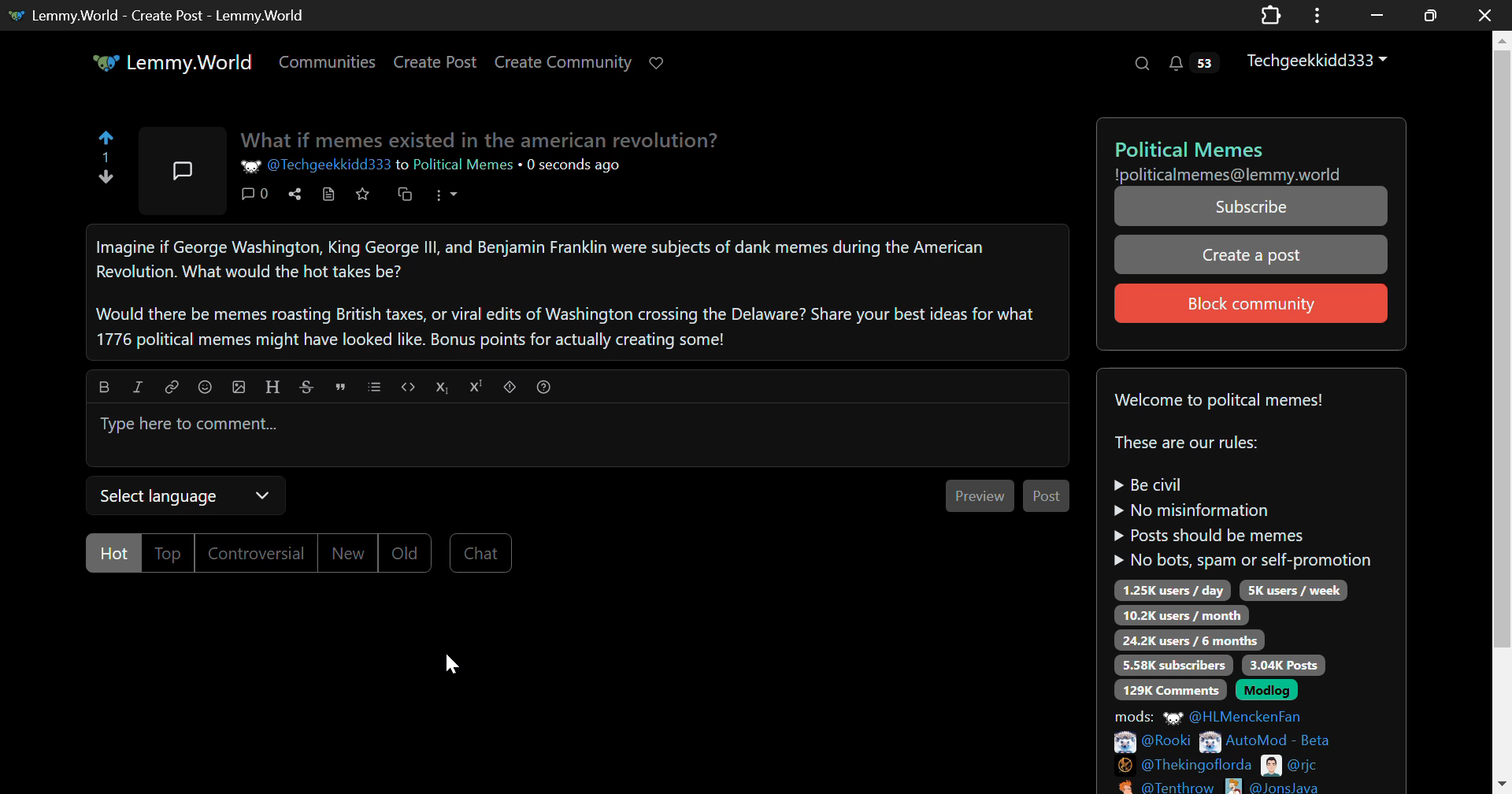 This screenshot has height=794, width=1512. What do you see at coordinates (406, 198) in the screenshot?
I see `Cross-post` at bounding box center [406, 198].